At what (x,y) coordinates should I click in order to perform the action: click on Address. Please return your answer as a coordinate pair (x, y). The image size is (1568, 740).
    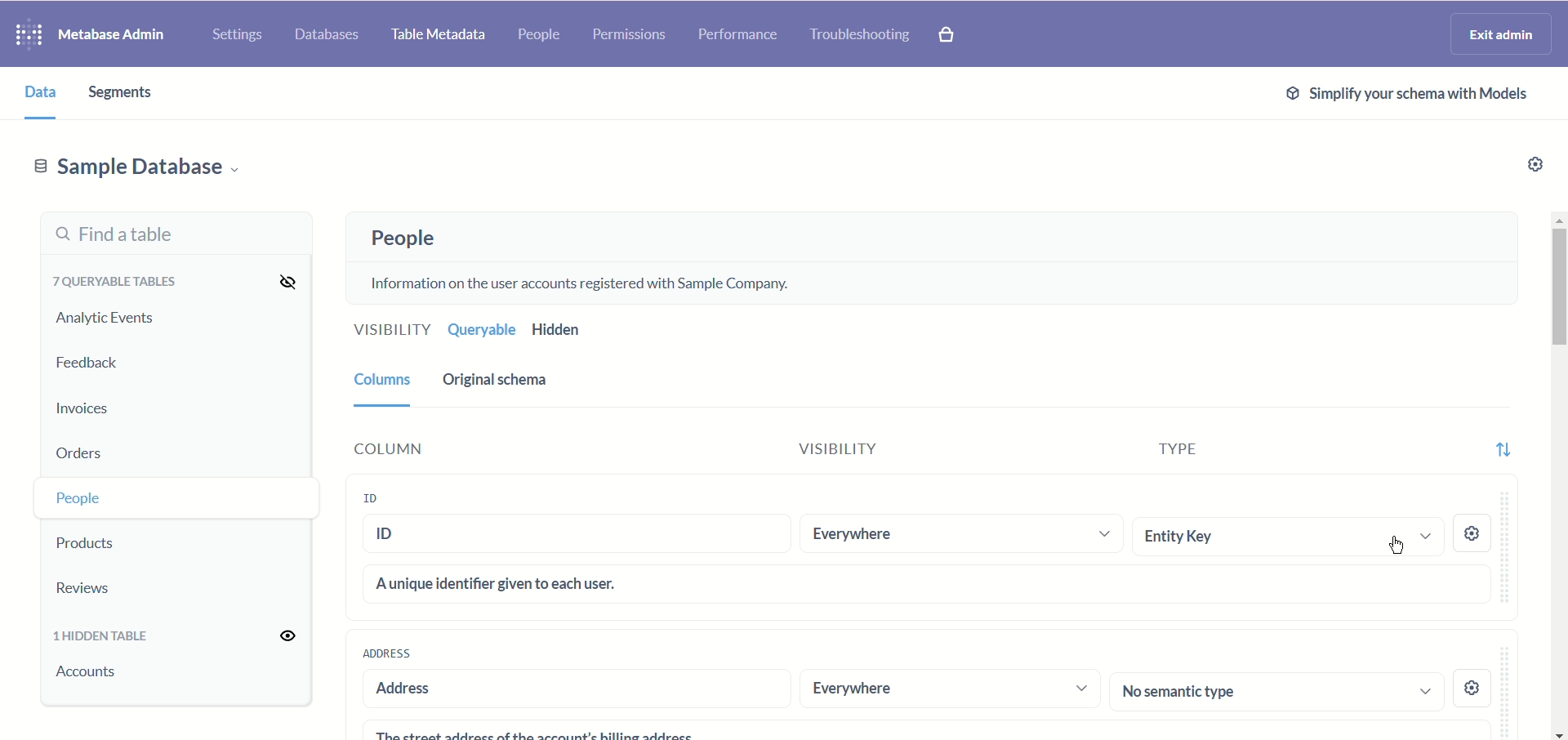
    Looking at the image, I should click on (568, 689).